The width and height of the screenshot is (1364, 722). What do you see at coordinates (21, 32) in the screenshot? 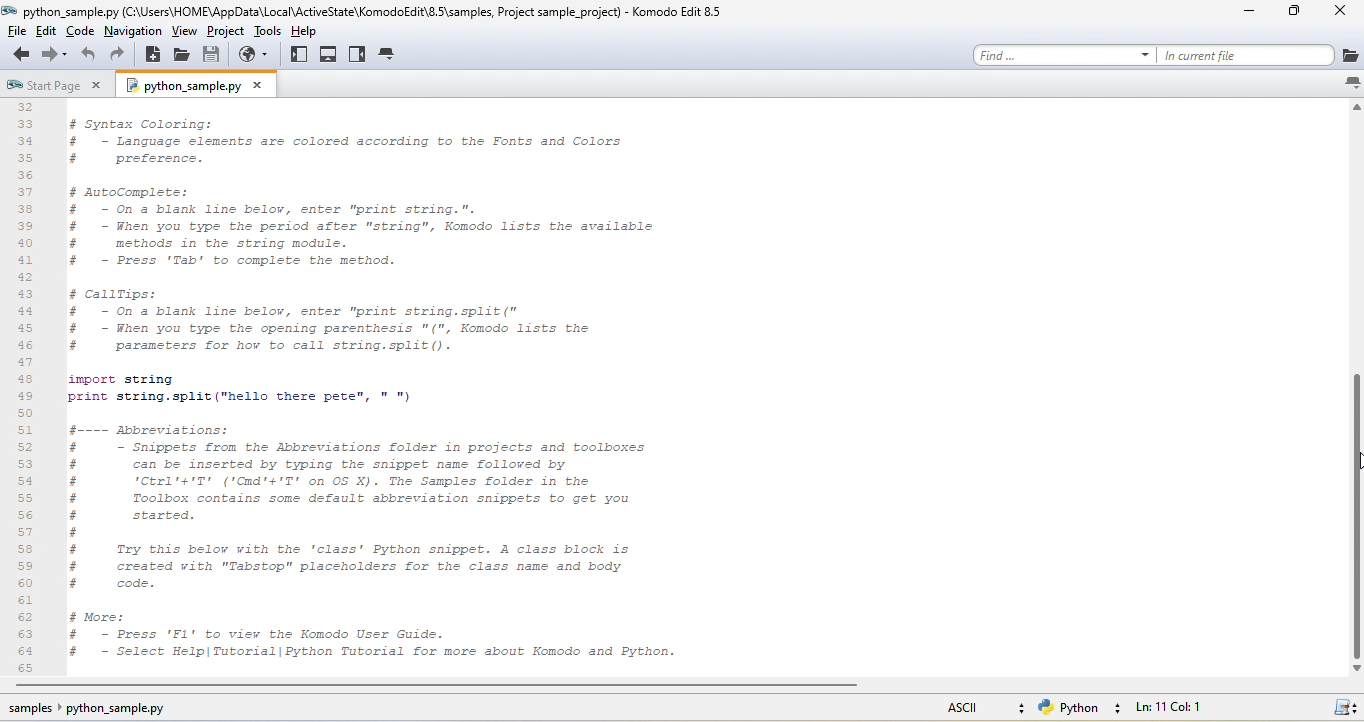
I see `file` at bounding box center [21, 32].